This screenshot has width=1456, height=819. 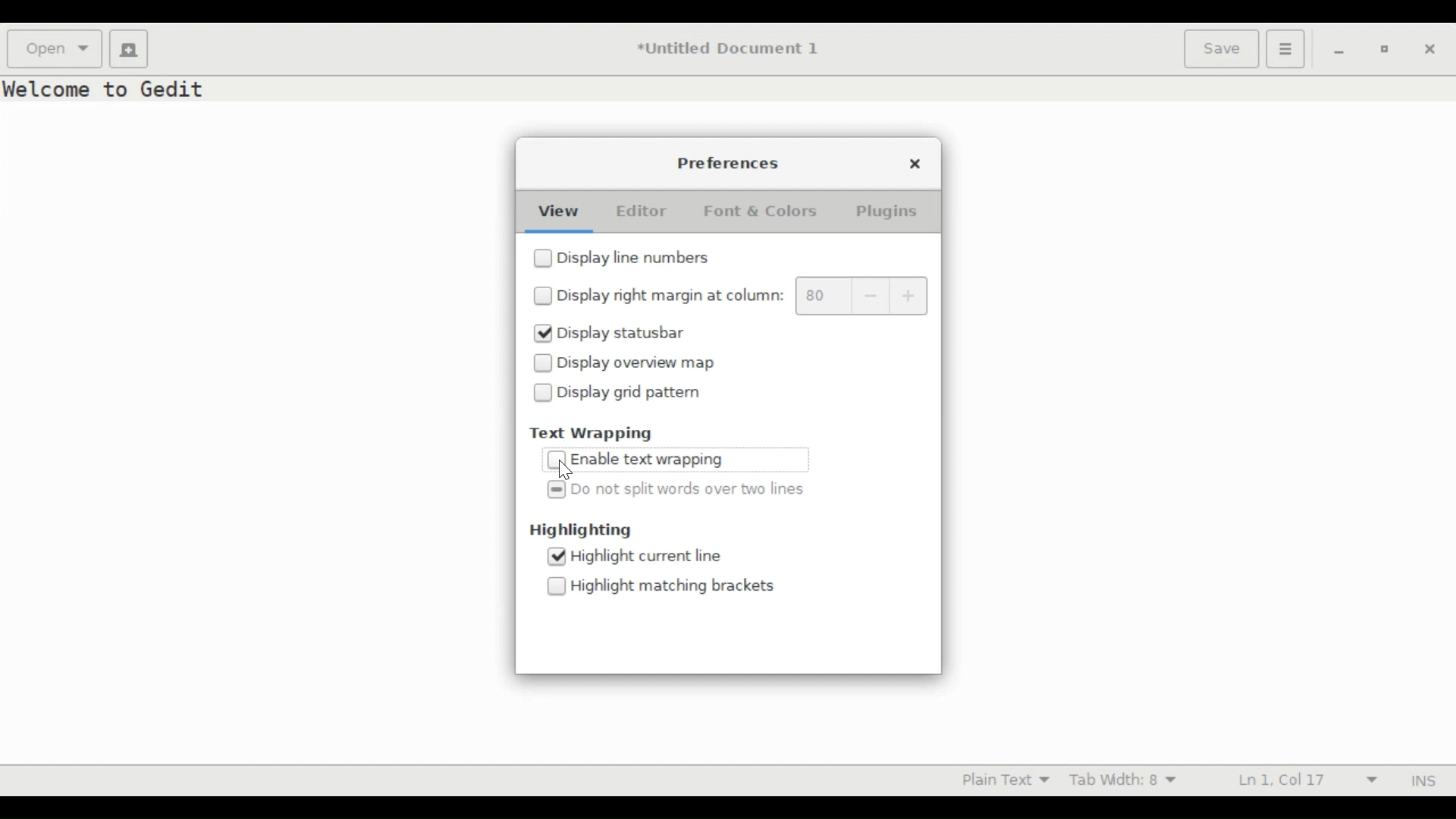 What do you see at coordinates (1222, 50) in the screenshot?
I see `Save` at bounding box center [1222, 50].